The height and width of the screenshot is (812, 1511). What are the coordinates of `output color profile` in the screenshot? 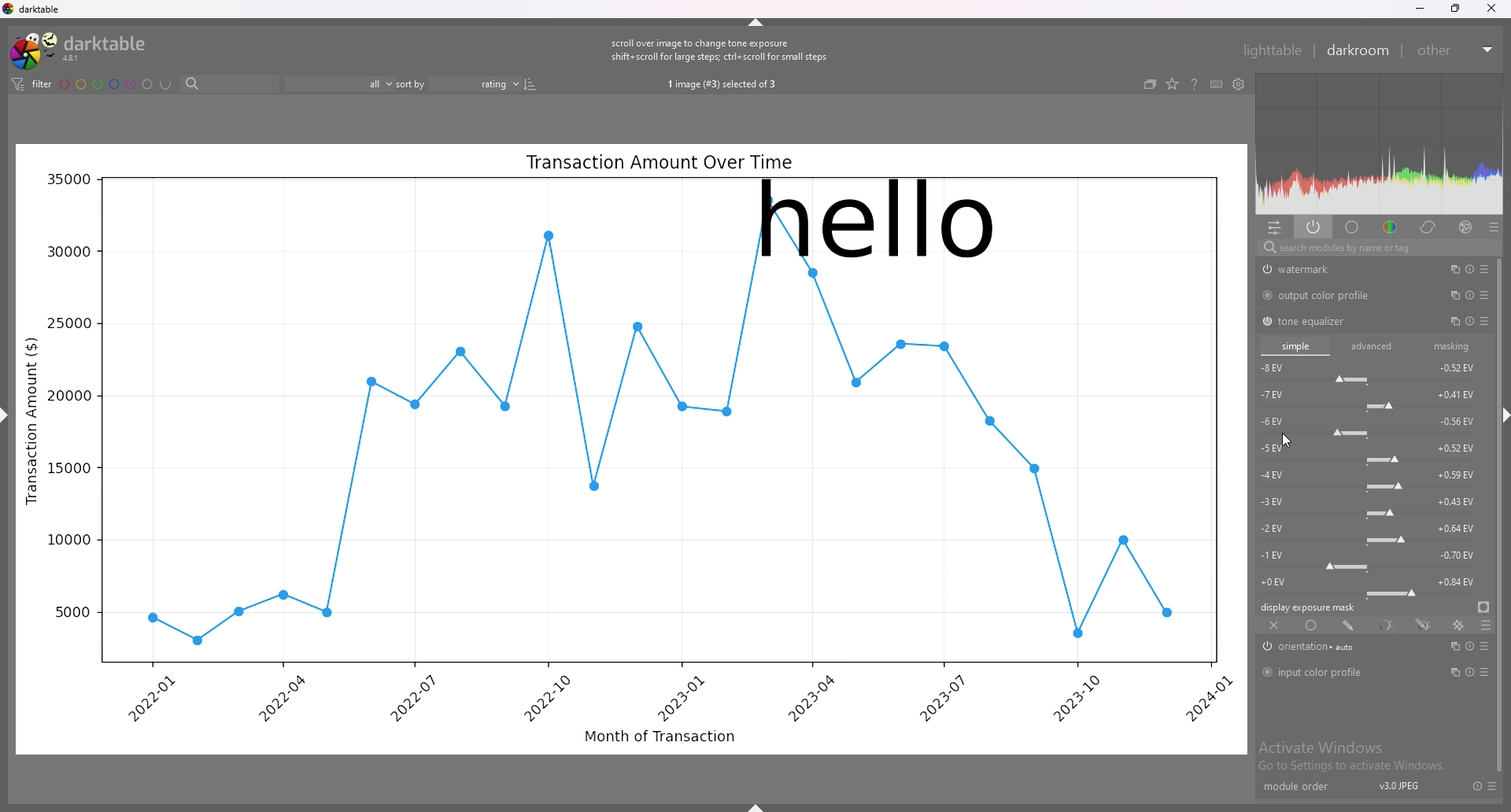 It's located at (1329, 297).